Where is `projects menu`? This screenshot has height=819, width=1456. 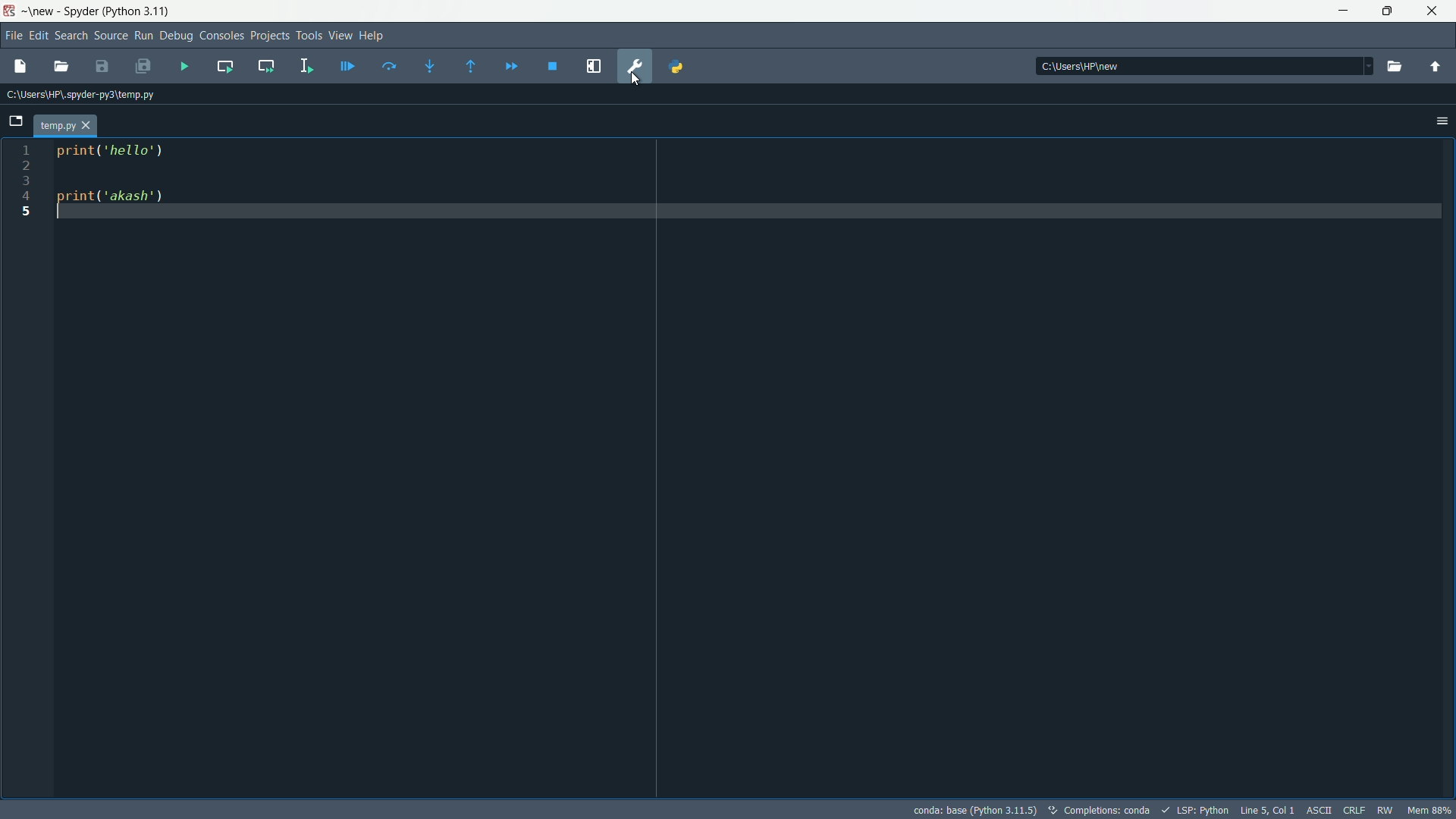
projects menu is located at coordinates (268, 35).